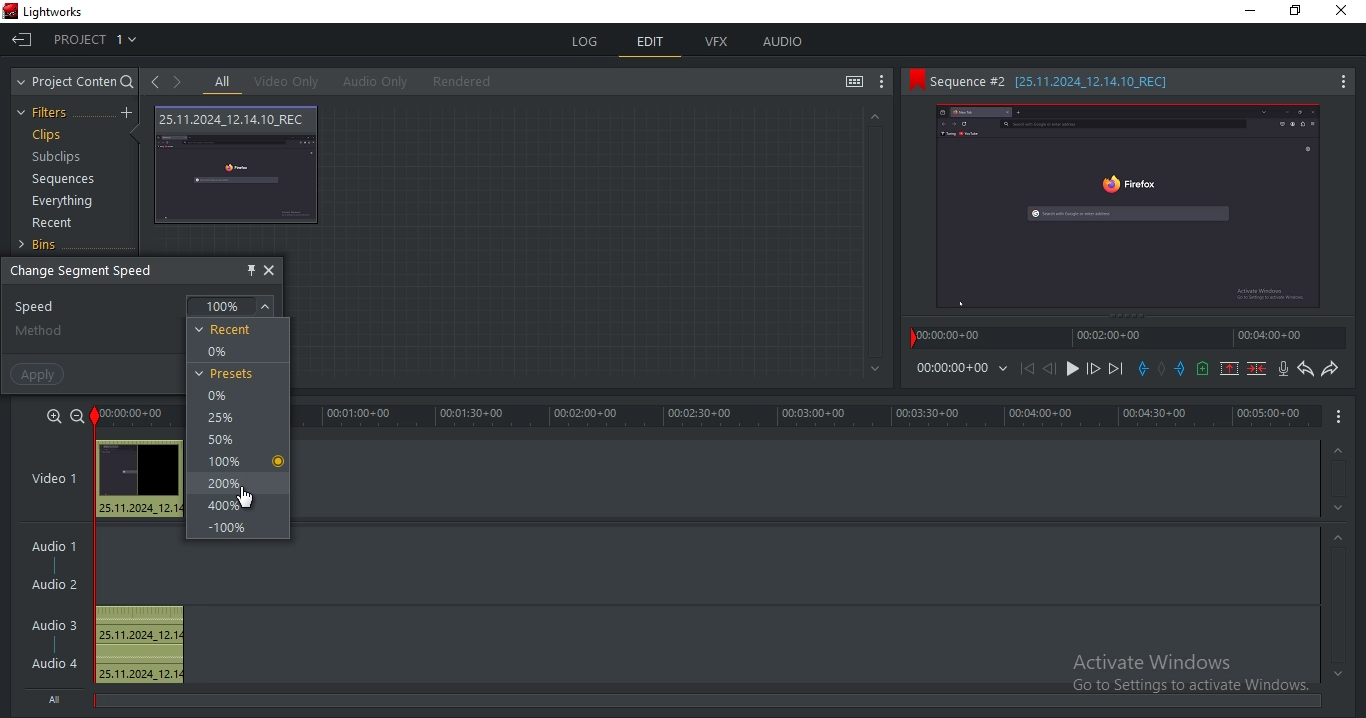 This screenshot has width=1366, height=718. Describe the element at coordinates (468, 82) in the screenshot. I see `rendered ` at that location.